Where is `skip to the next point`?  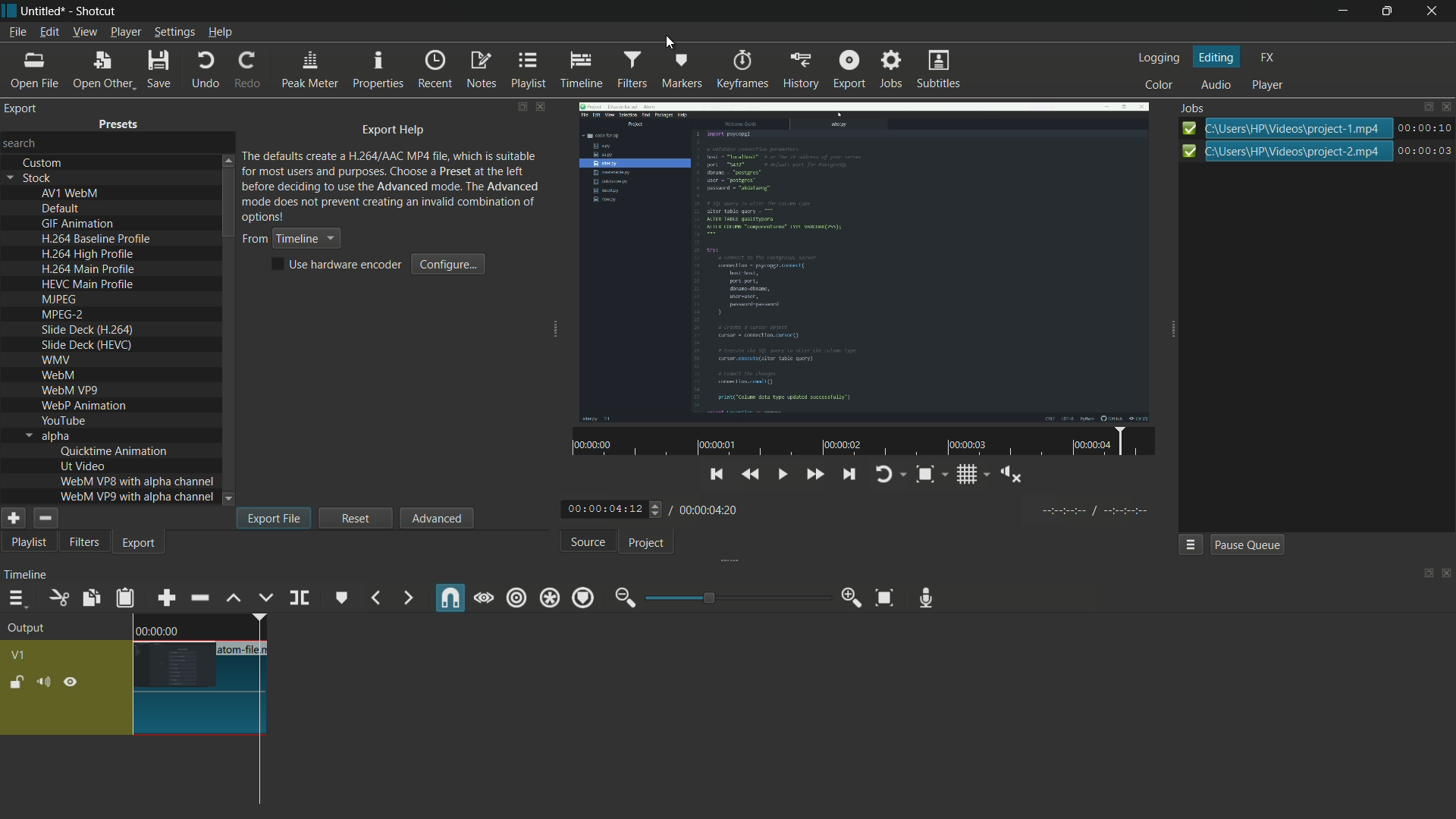
skip to the next point is located at coordinates (1016, 510).